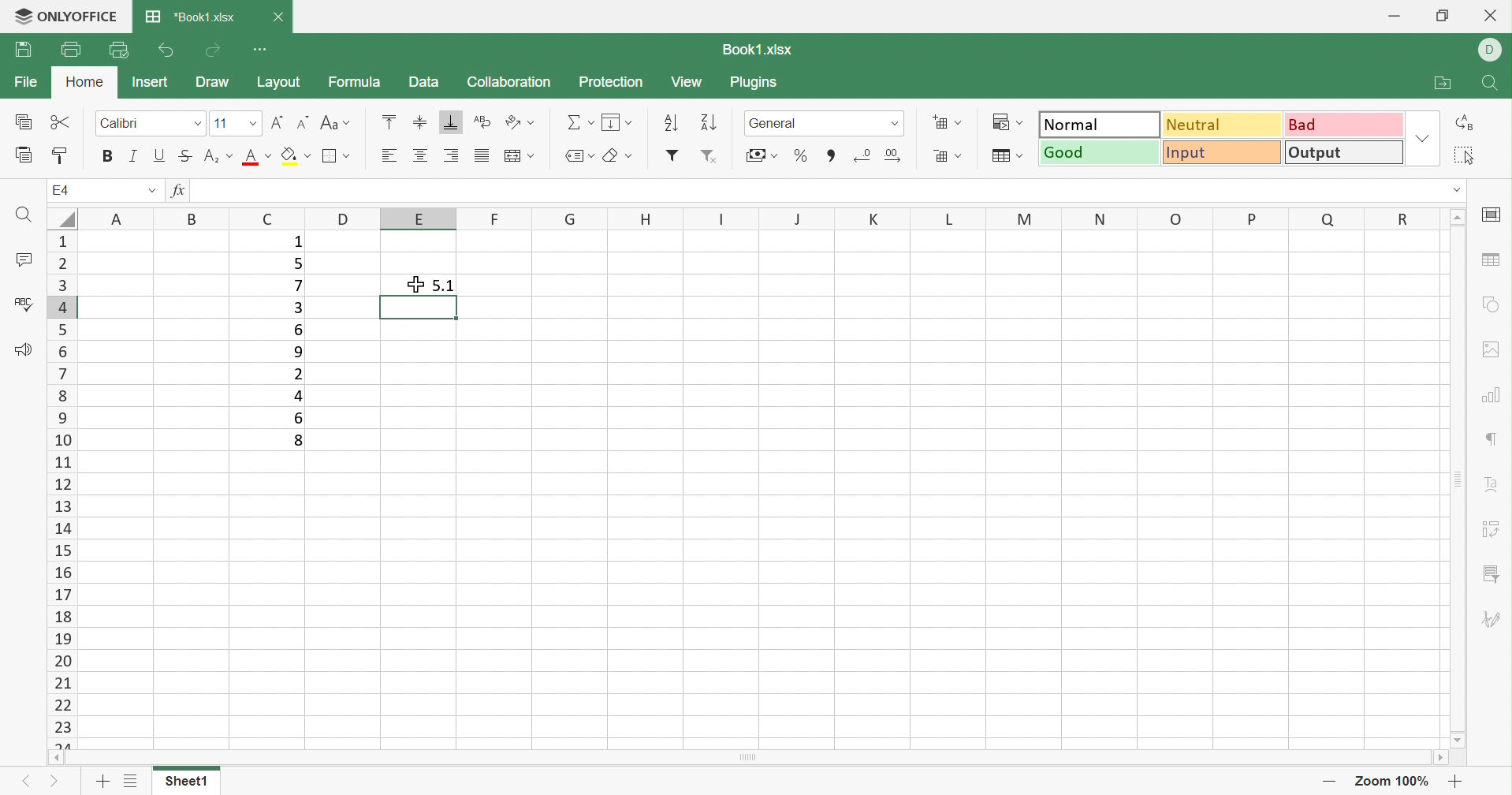  What do you see at coordinates (1395, 17) in the screenshot?
I see `Minimize` at bounding box center [1395, 17].